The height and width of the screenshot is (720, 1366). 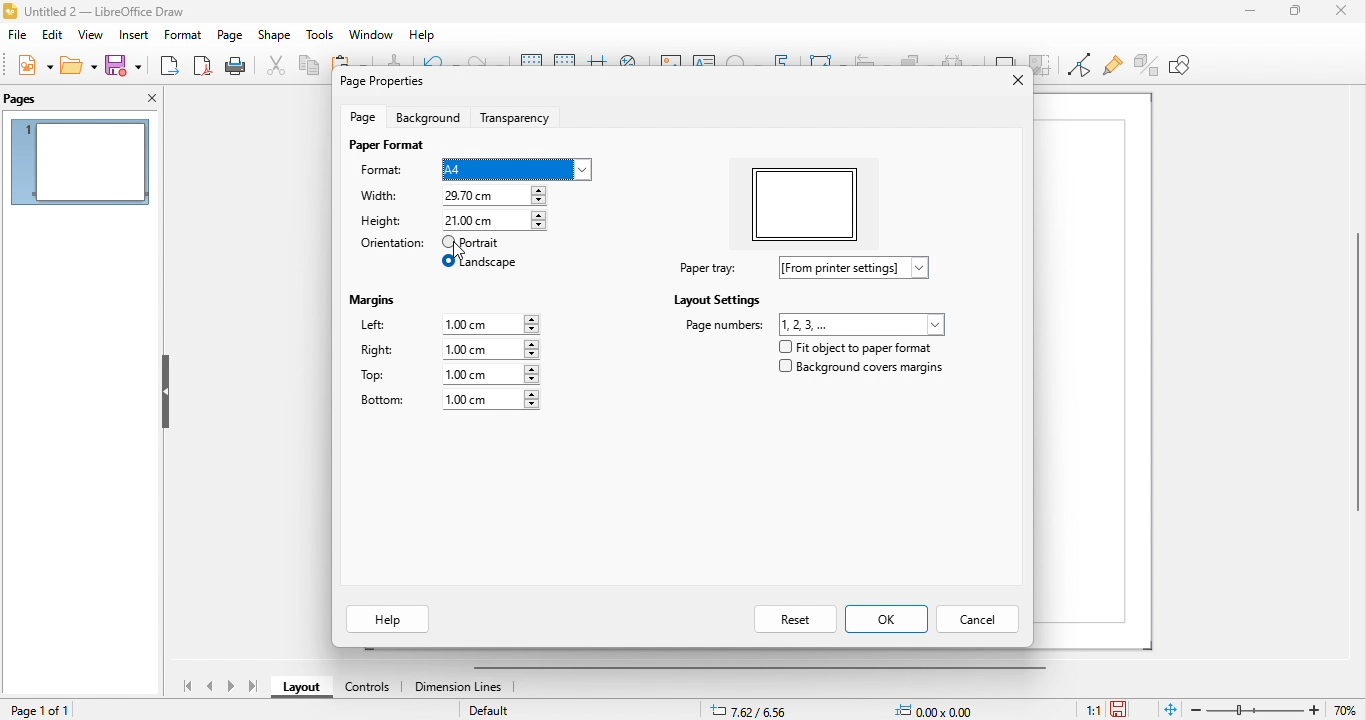 I want to click on paper tray, so click(x=813, y=270).